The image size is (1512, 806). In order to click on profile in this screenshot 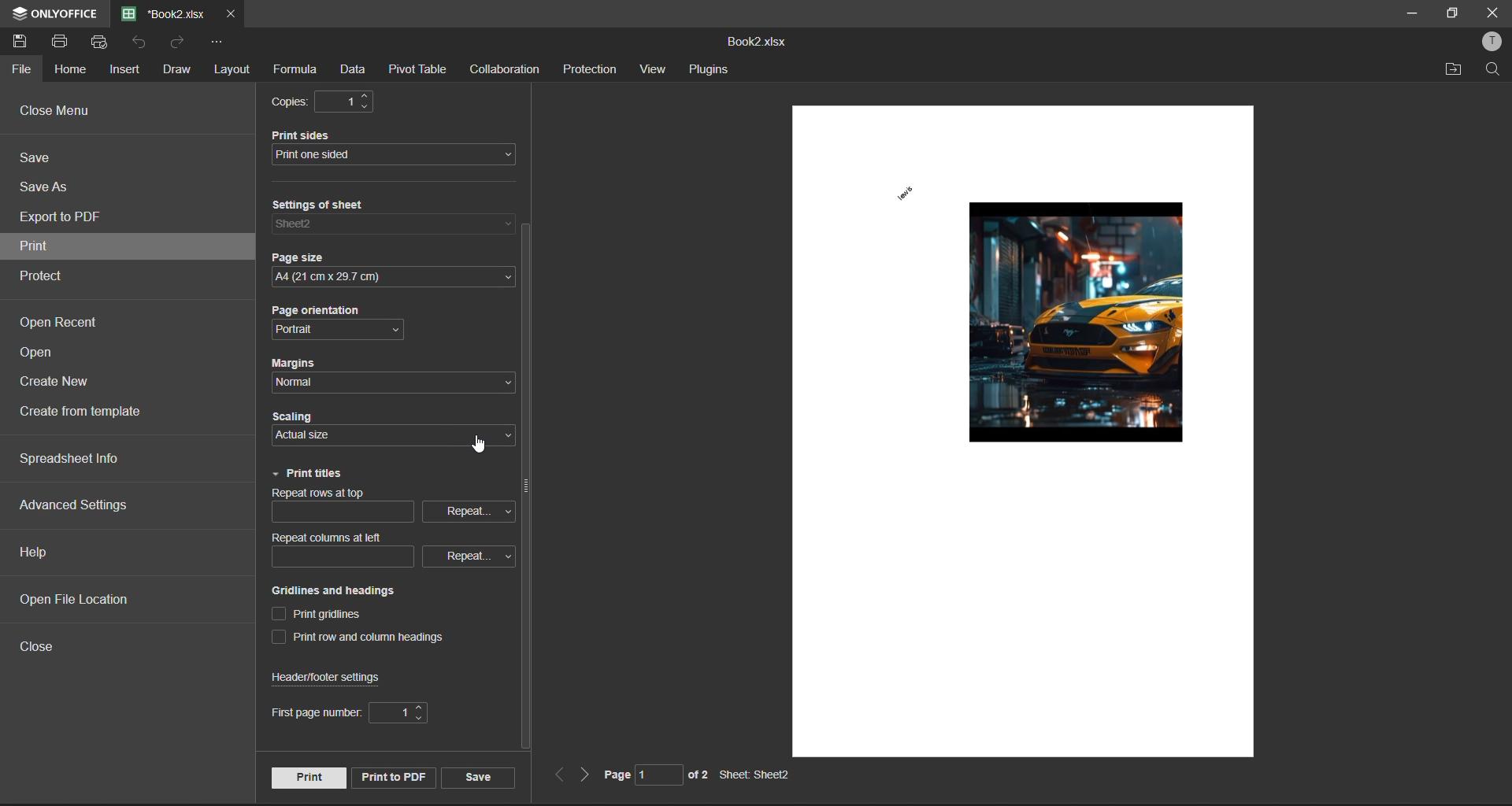, I will do `click(1493, 43)`.